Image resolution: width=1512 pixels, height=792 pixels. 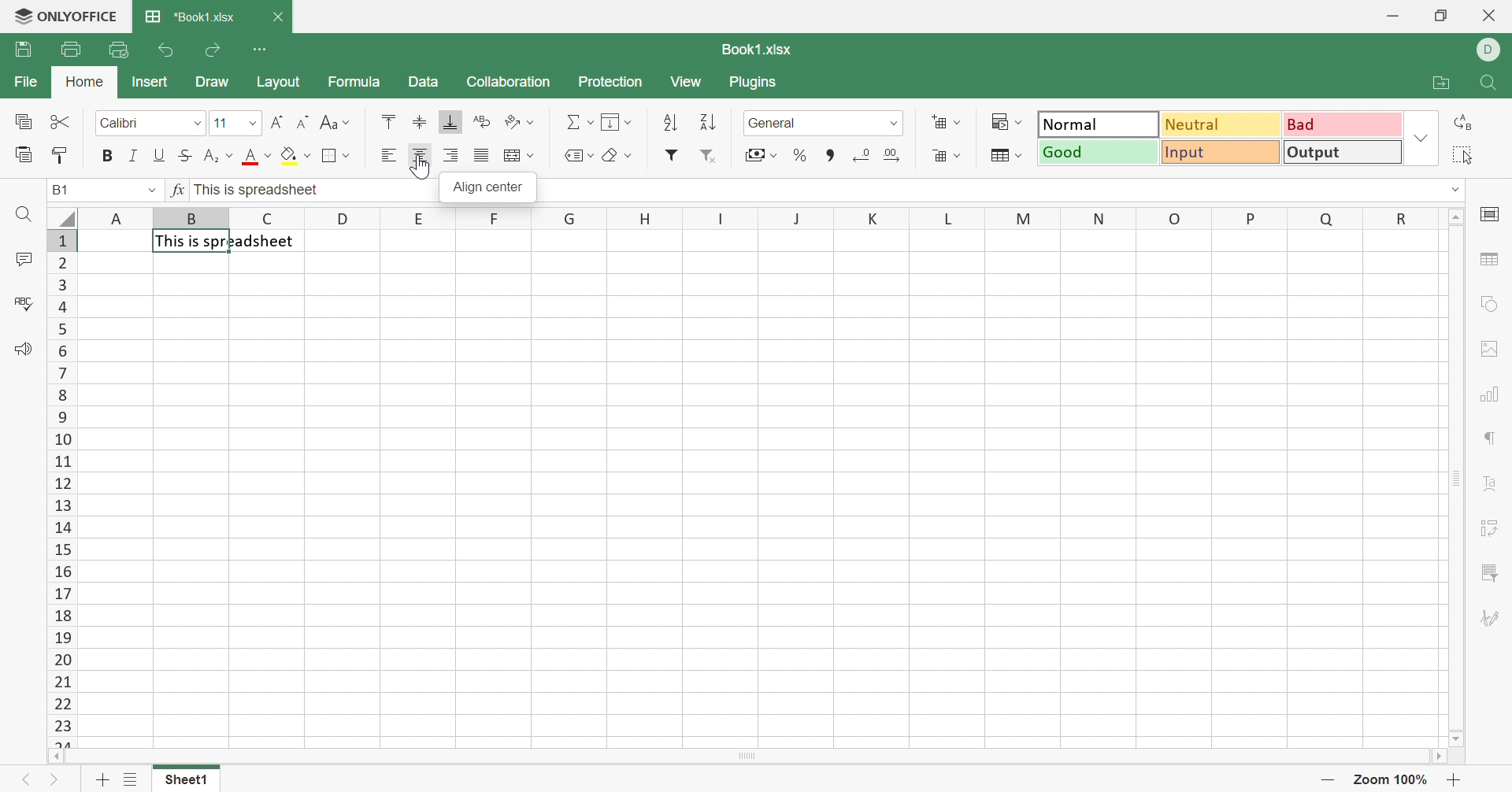 I want to click on Borders, so click(x=332, y=156).